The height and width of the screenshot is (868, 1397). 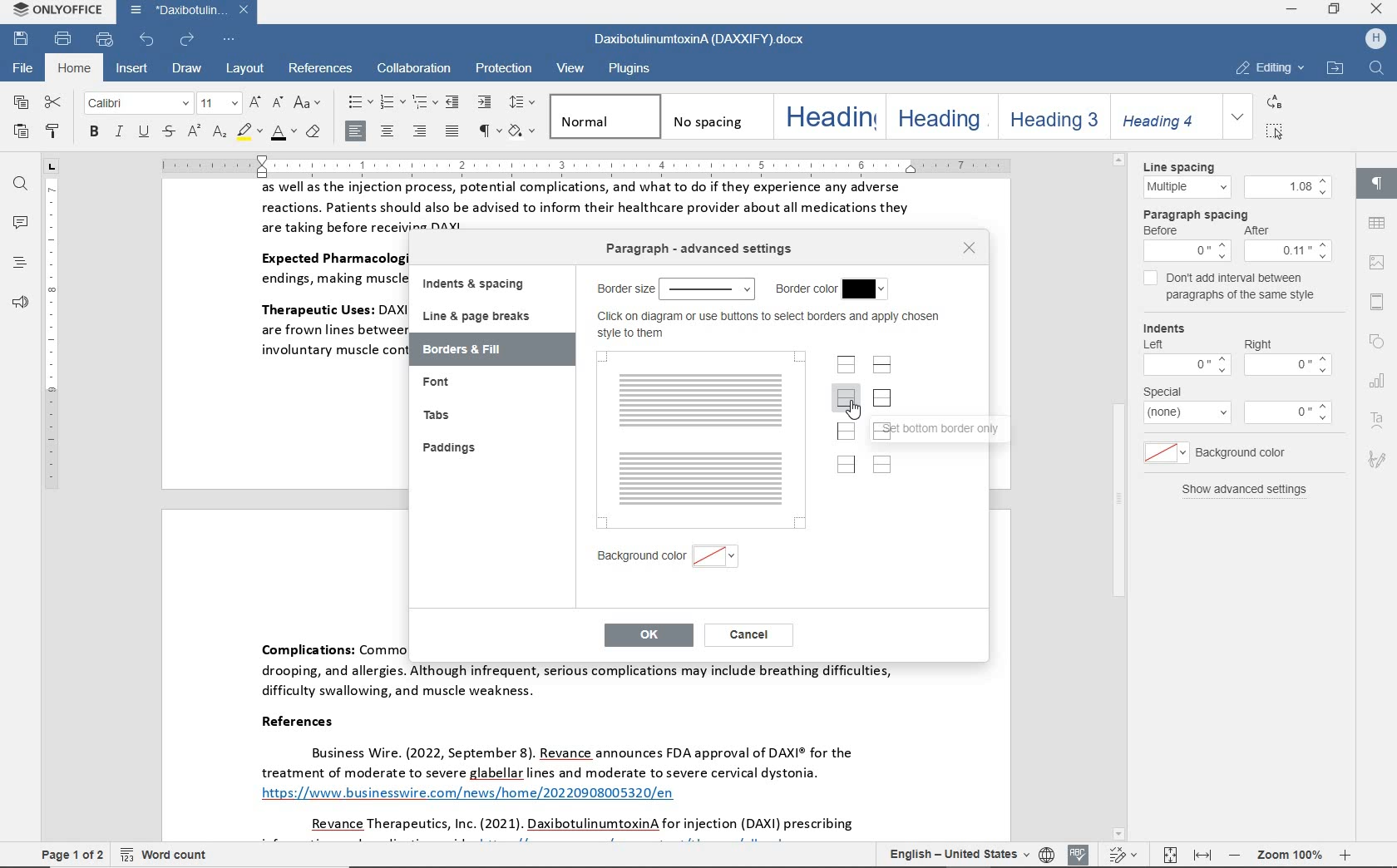 I want to click on undo, so click(x=148, y=39).